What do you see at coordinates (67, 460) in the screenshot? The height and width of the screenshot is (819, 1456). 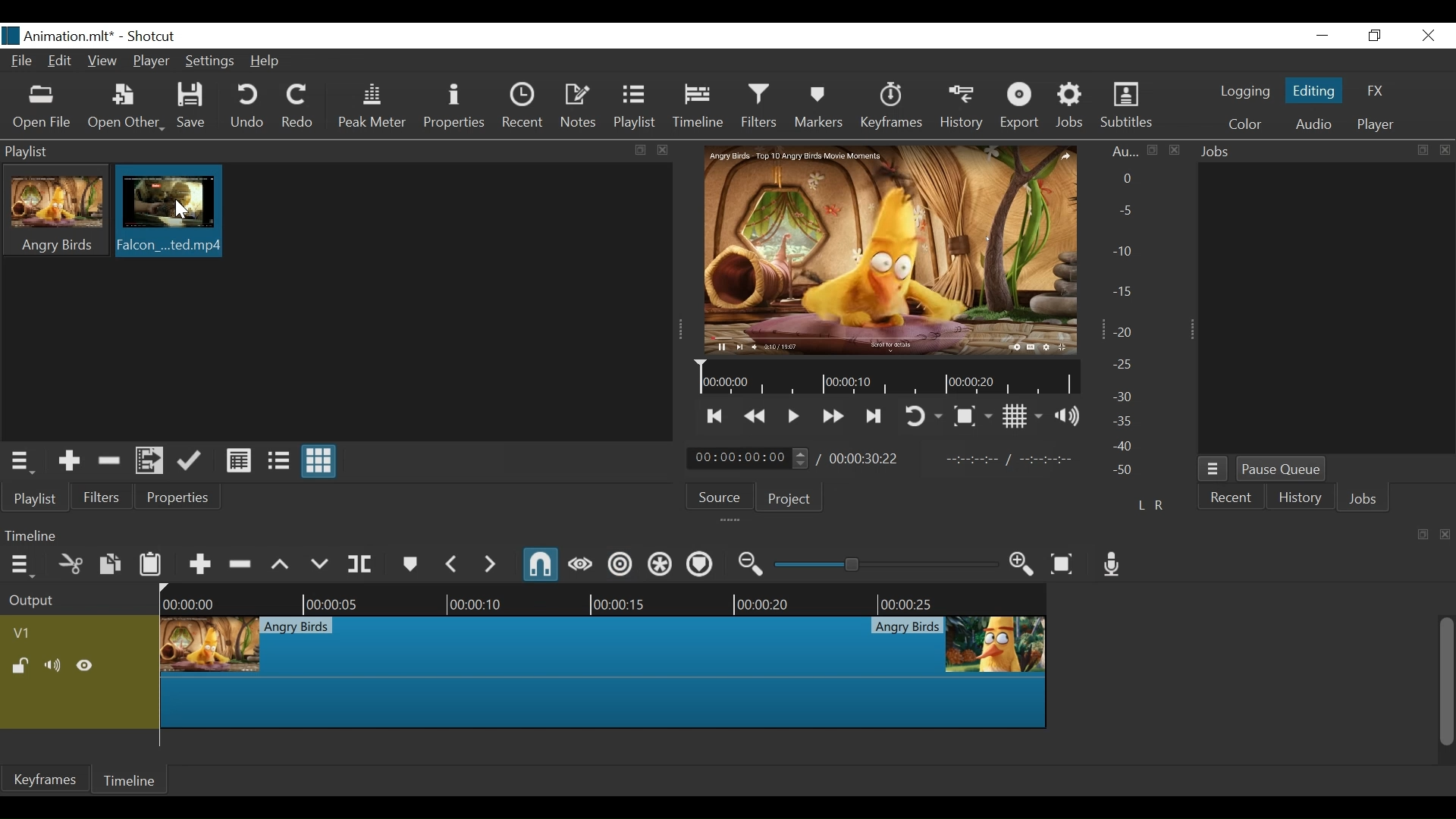 I see `Add the Source to the playlist` at bounding box center [67, 460].